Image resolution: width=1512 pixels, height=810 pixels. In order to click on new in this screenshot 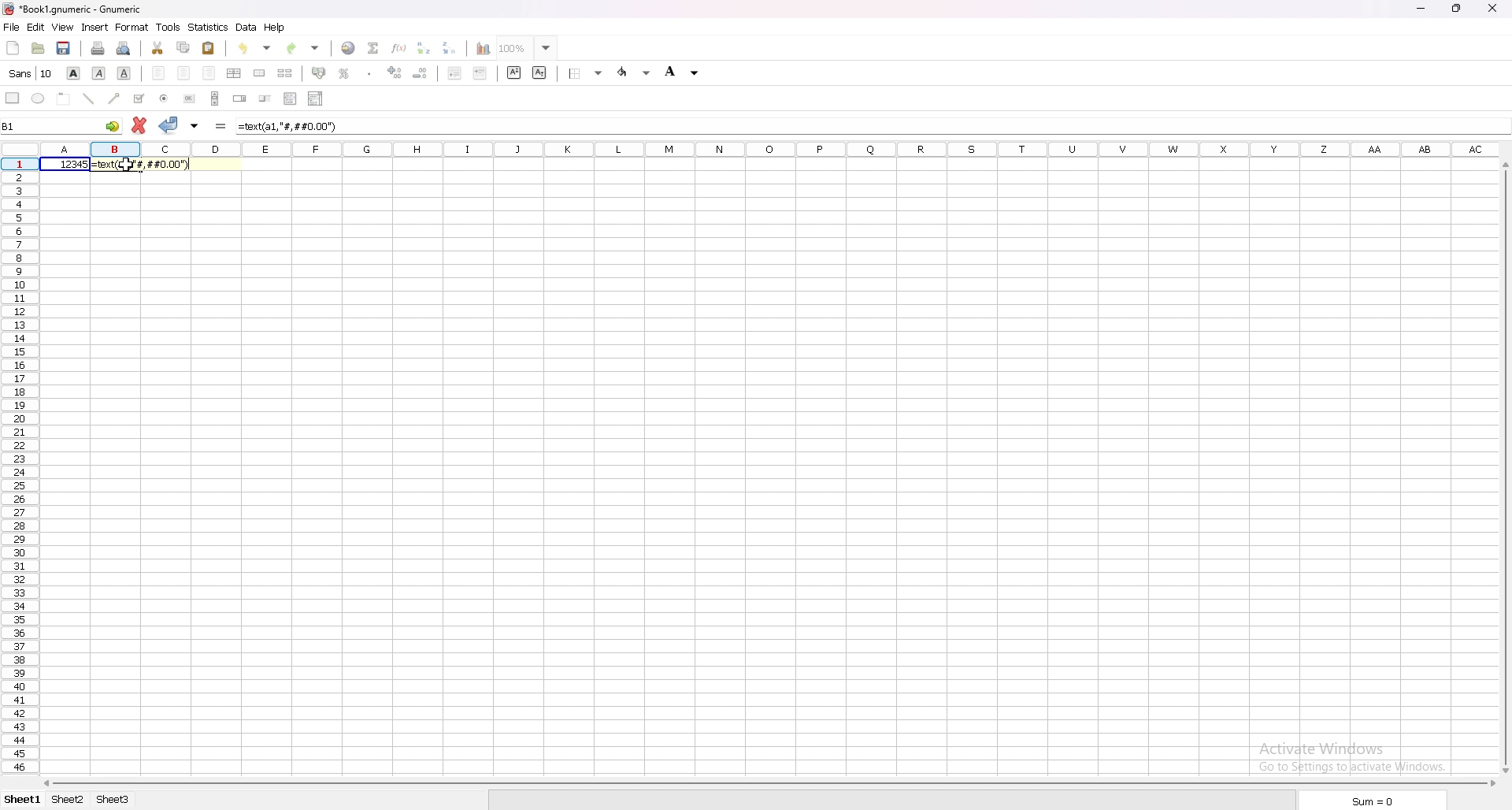, I will do `click(13, 48)`.